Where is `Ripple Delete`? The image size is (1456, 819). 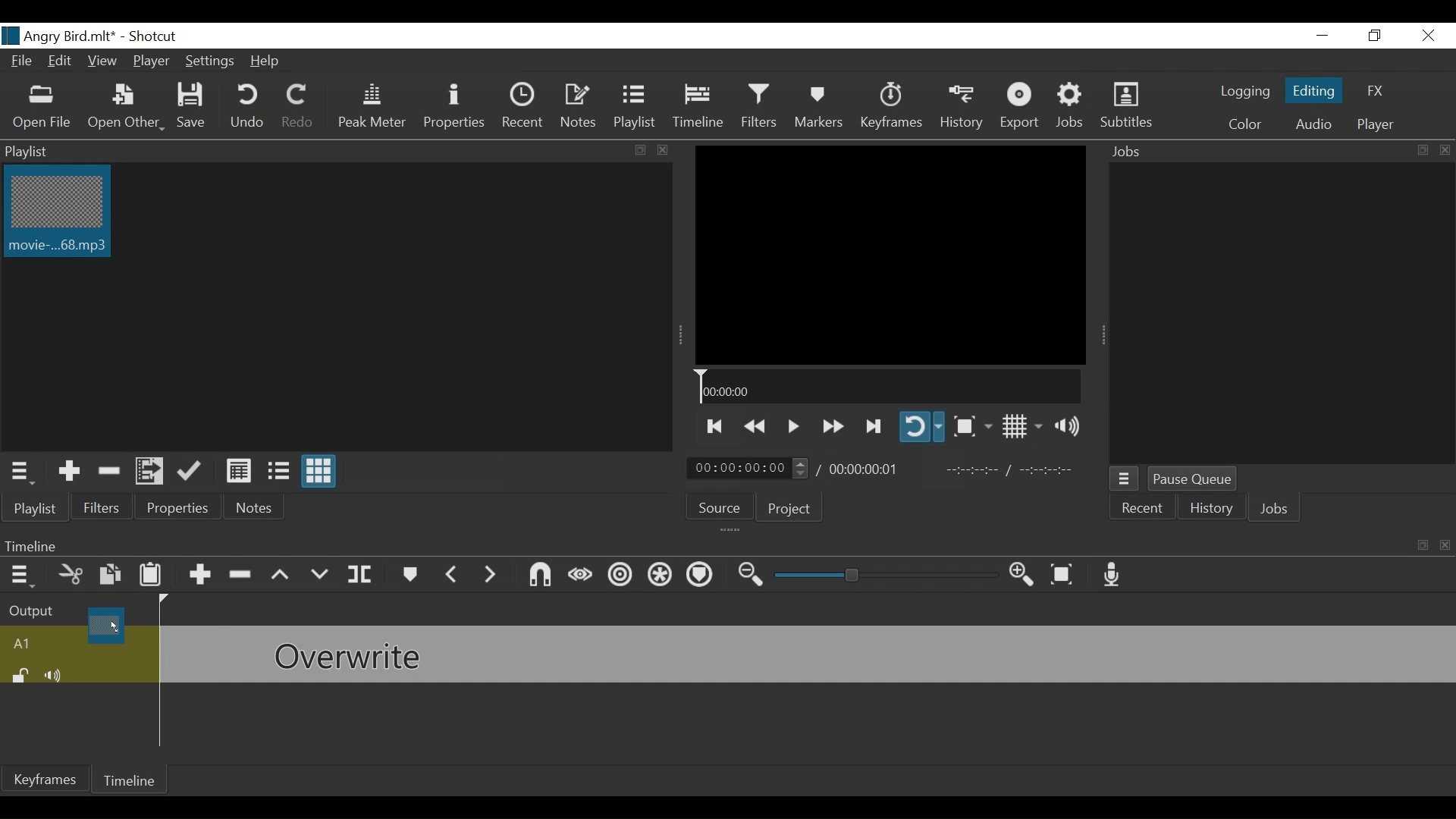
Ripple Delete is located at coordinates (242, 574).